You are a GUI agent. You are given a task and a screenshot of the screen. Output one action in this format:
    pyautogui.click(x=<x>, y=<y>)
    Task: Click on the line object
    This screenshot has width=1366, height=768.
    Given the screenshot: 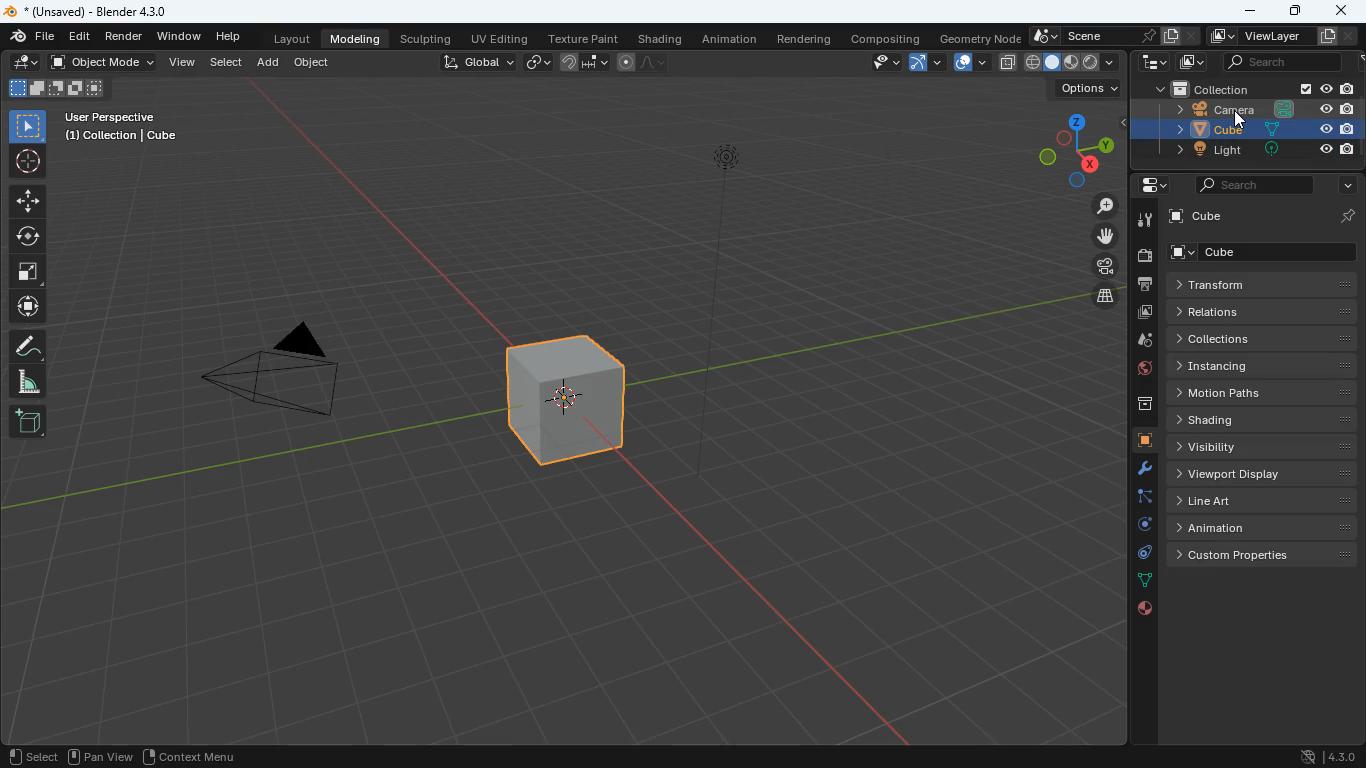 What is the action you would take?
    pyautogui.click(x=722, y=307)
    